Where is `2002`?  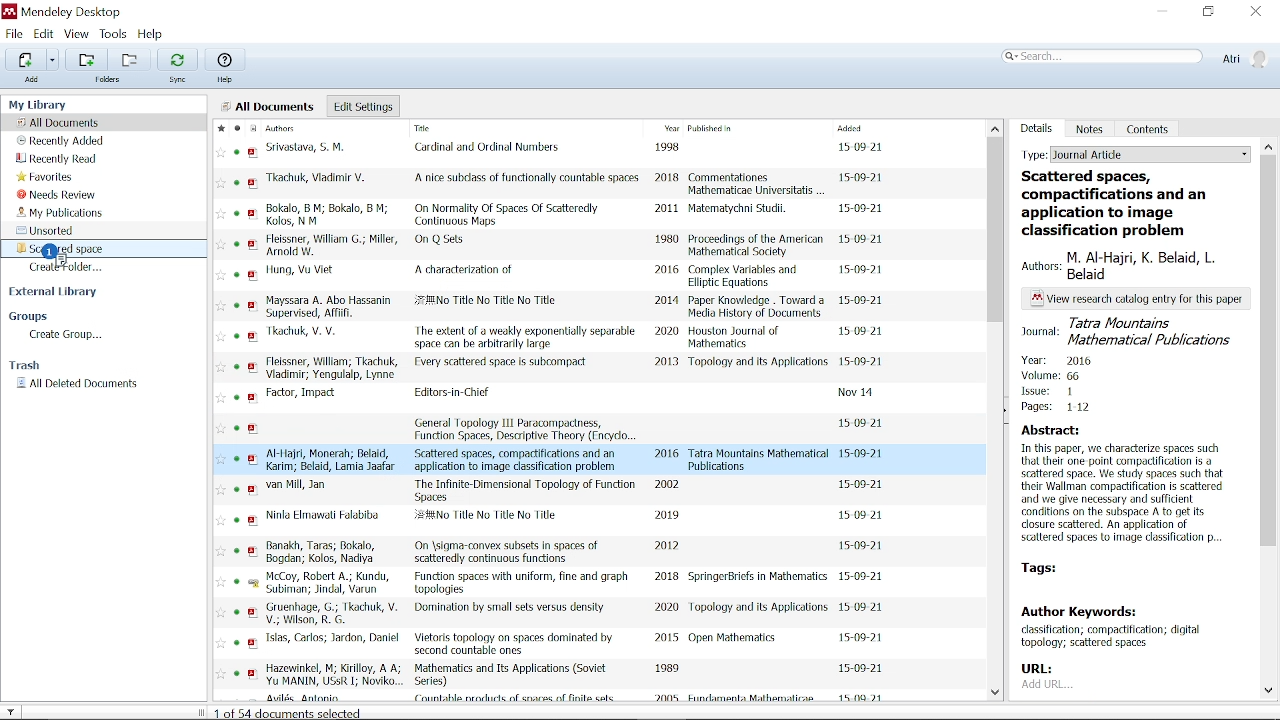
2002 is located at coordinates (669, 484).